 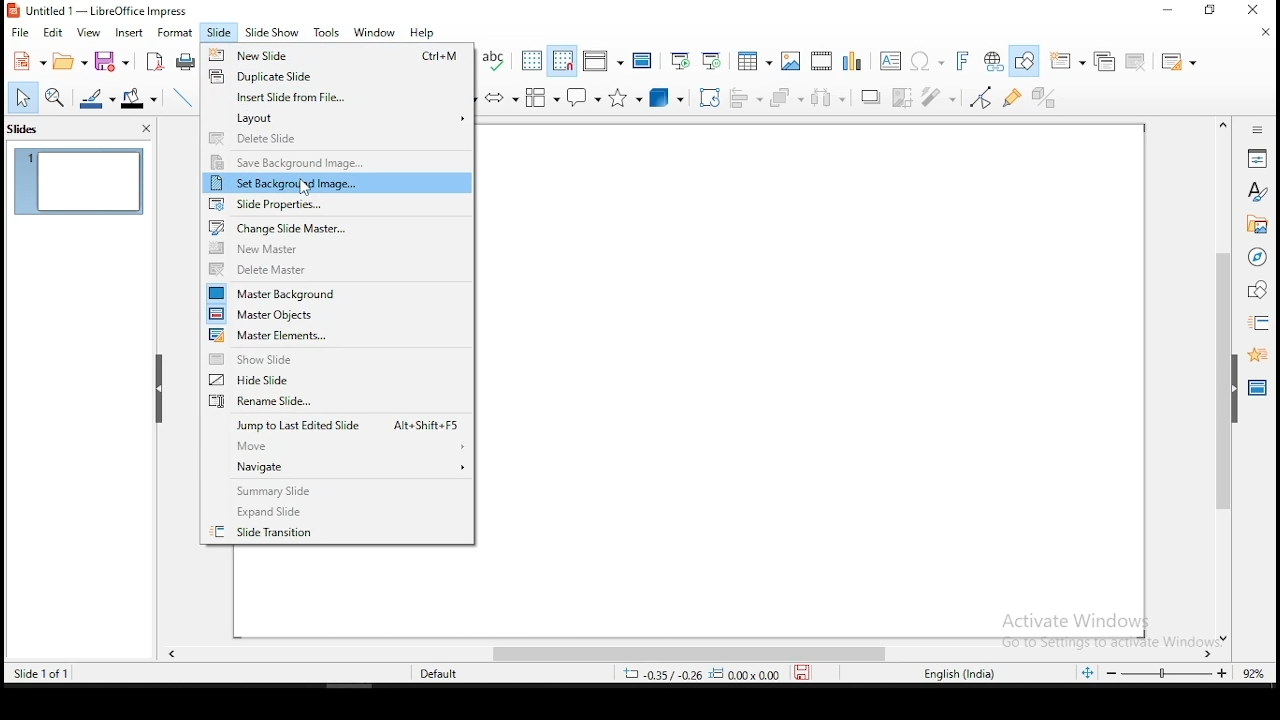 I want to click on view, so click(x=91, y=31).